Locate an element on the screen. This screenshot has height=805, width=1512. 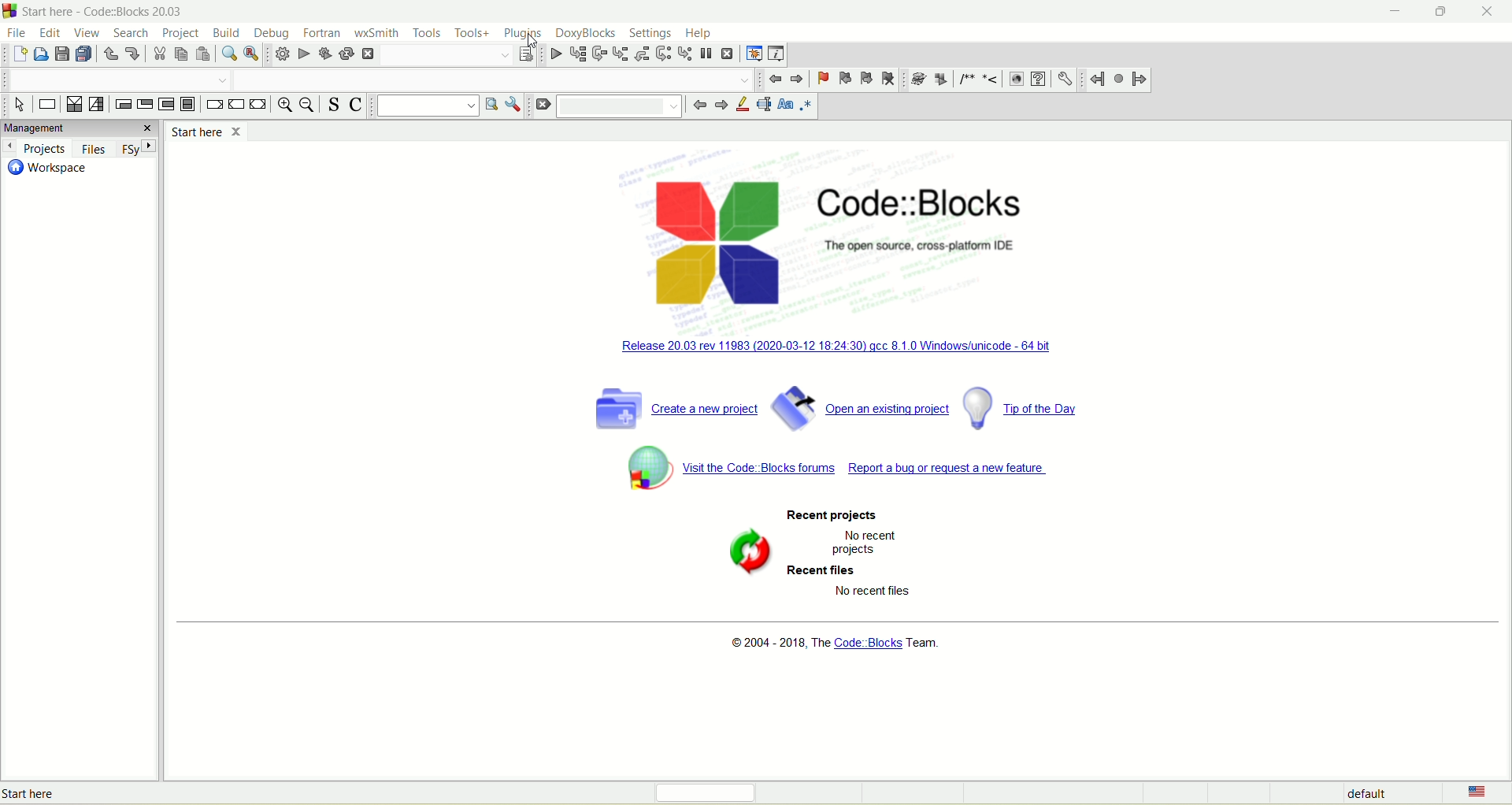
Insert comment block is located at coordinates (965, 80).